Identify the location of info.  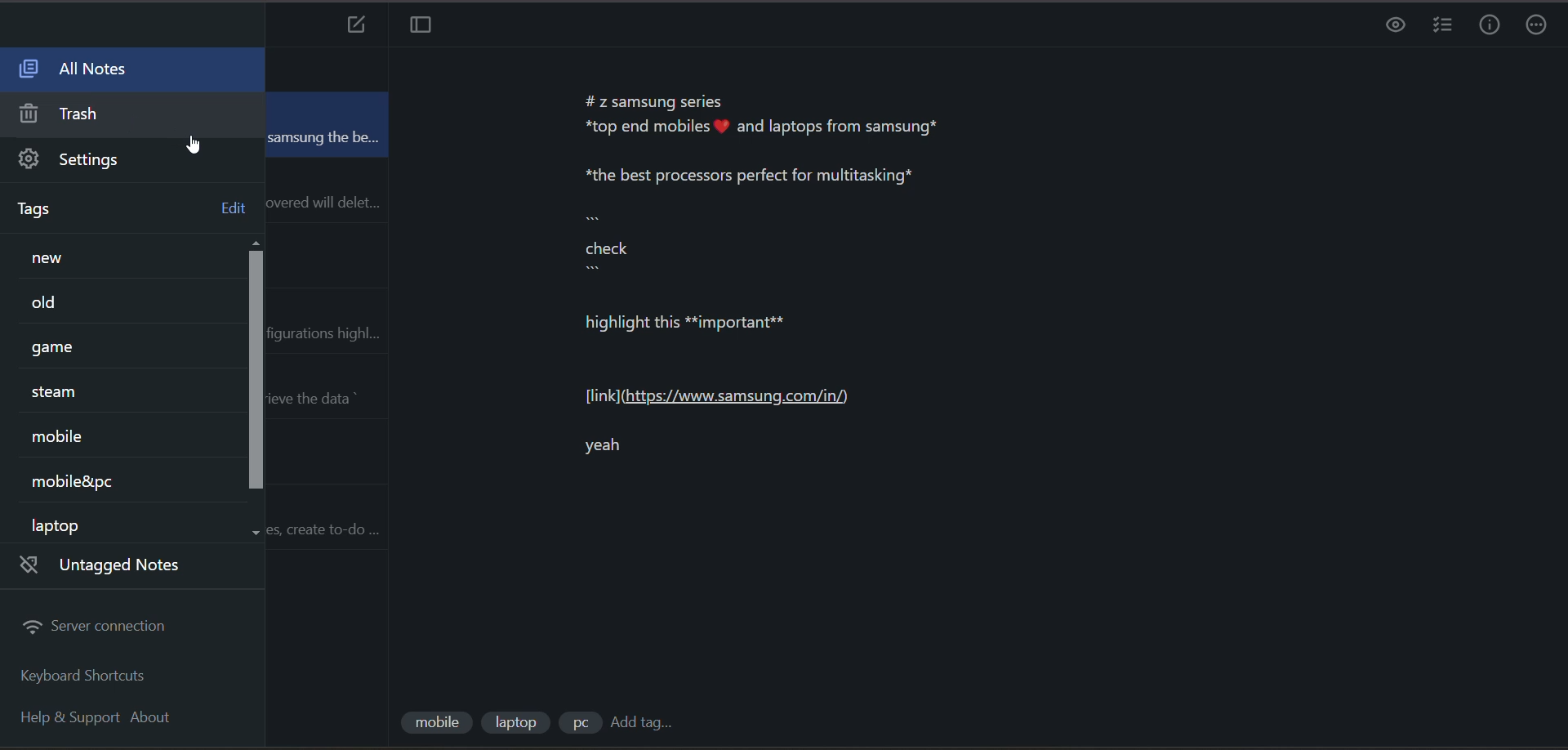
(1490, 29).